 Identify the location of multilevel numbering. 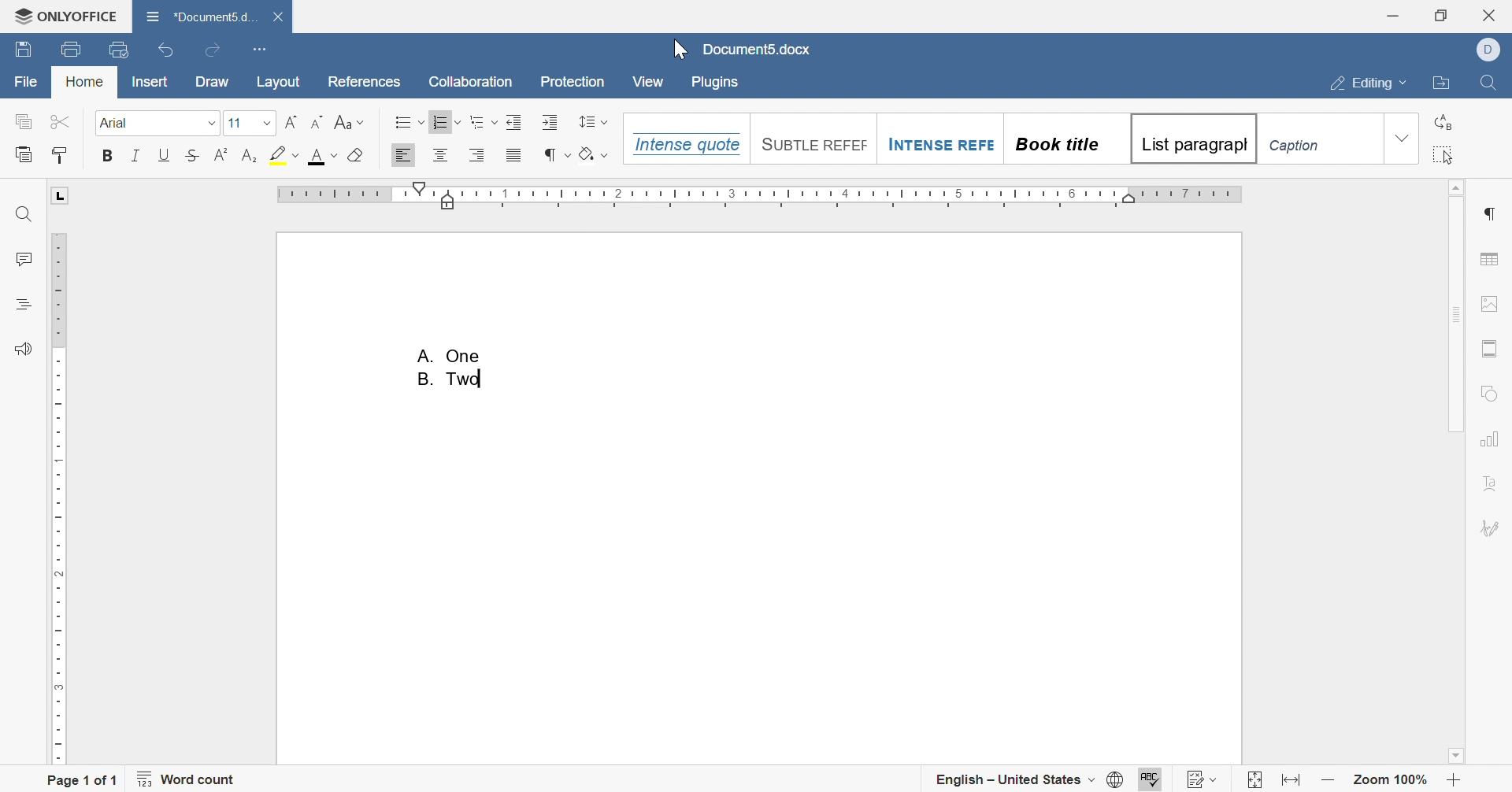
(483, 121).